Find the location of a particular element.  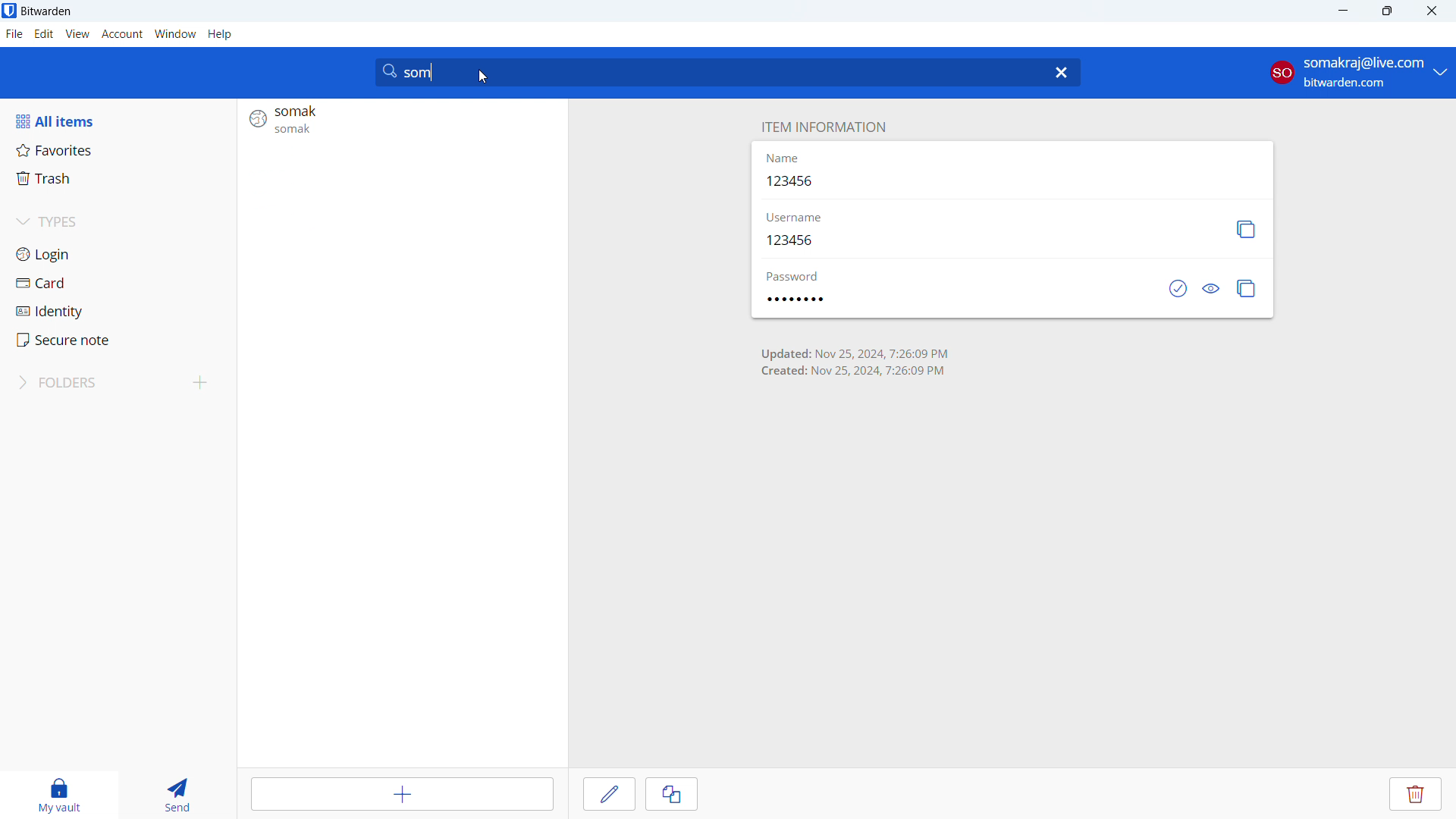

password is located at coordinates (807, 298).